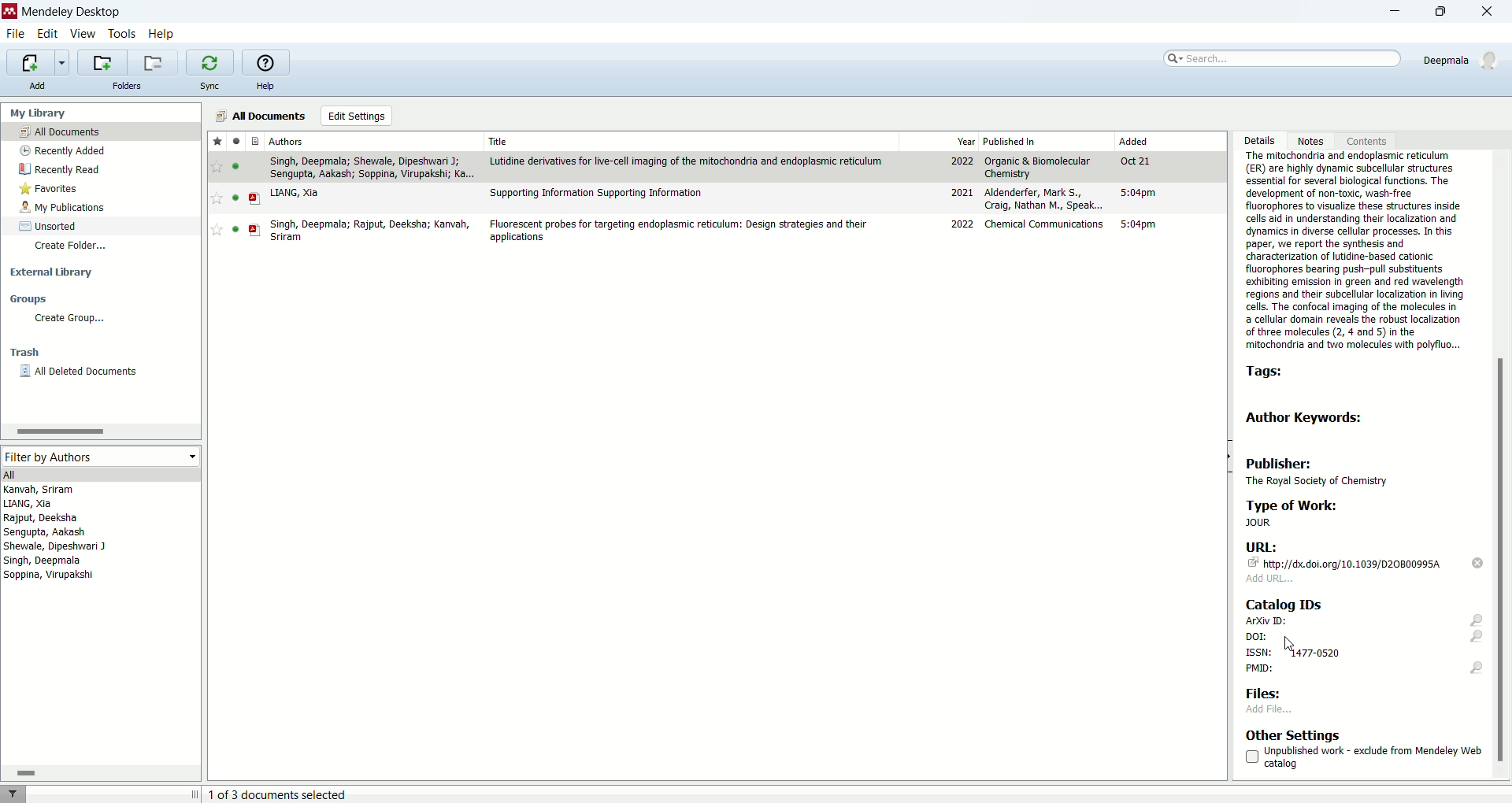  What do you see at coordinates (50, 574) in the screenshot?
I see `soppina, virupakshi` at bounding box center [50, 574].